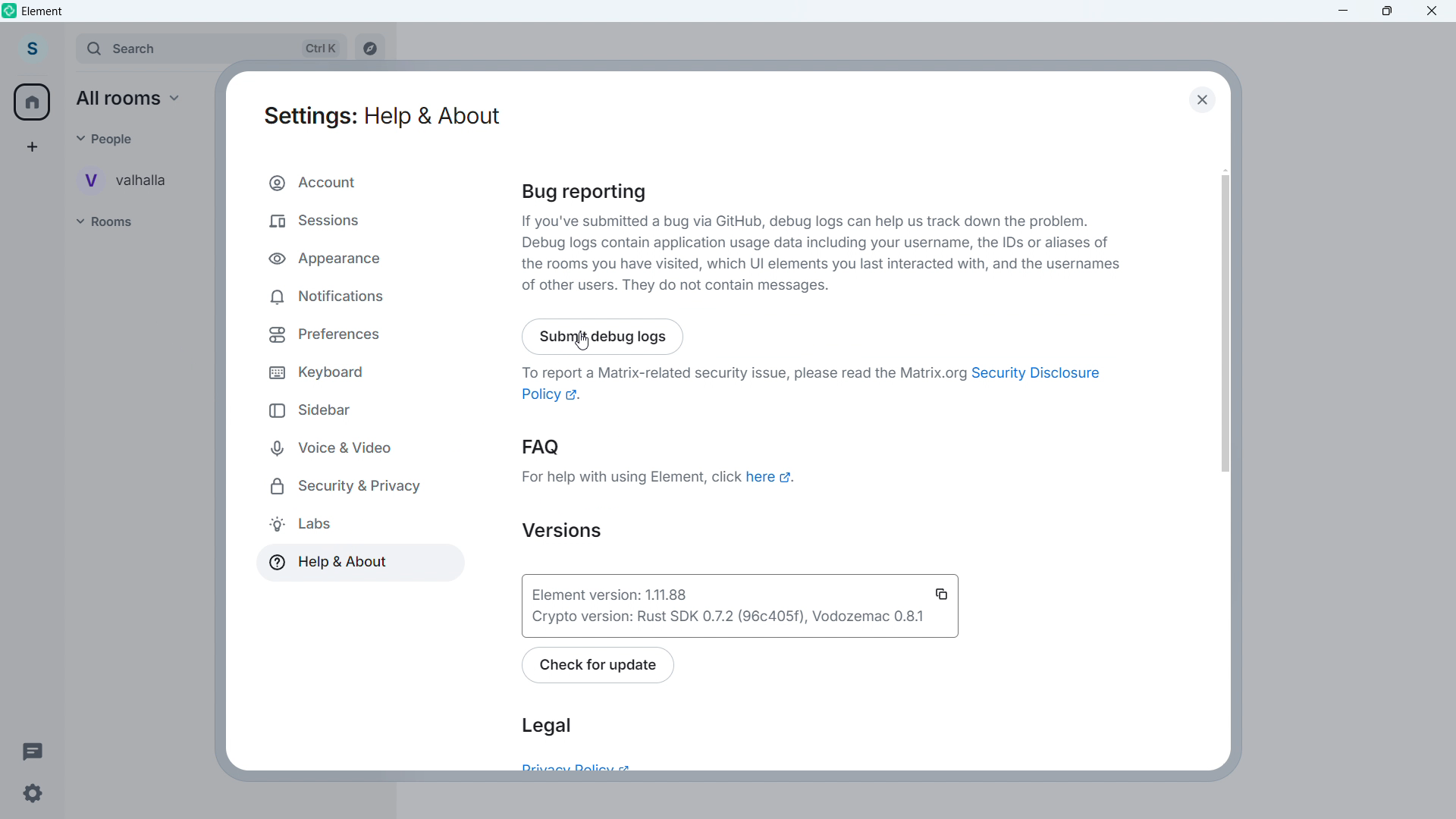  What do you see at coordinates (330, 447) in the screenshot?
I see `Voice & video` at bounding box center [330, 447].